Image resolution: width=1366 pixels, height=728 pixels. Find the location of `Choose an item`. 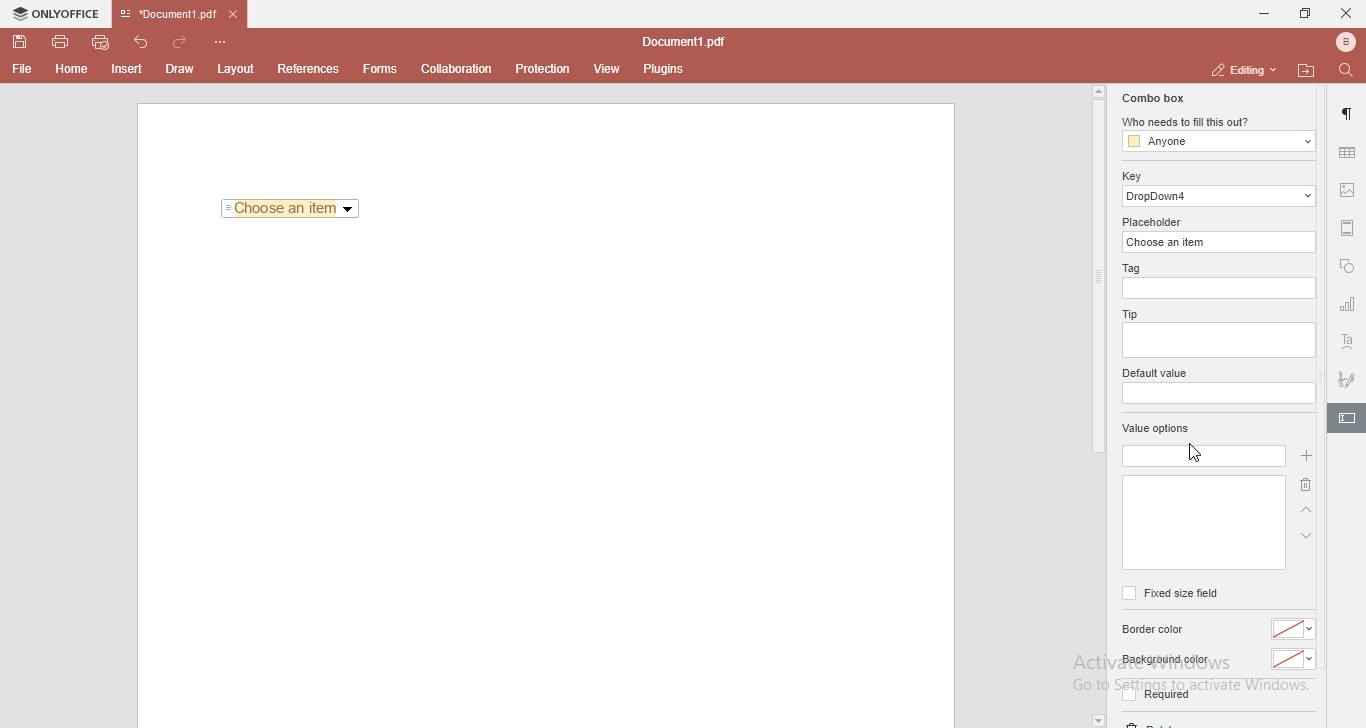

Choose an item is located at coordinates (291, 210).